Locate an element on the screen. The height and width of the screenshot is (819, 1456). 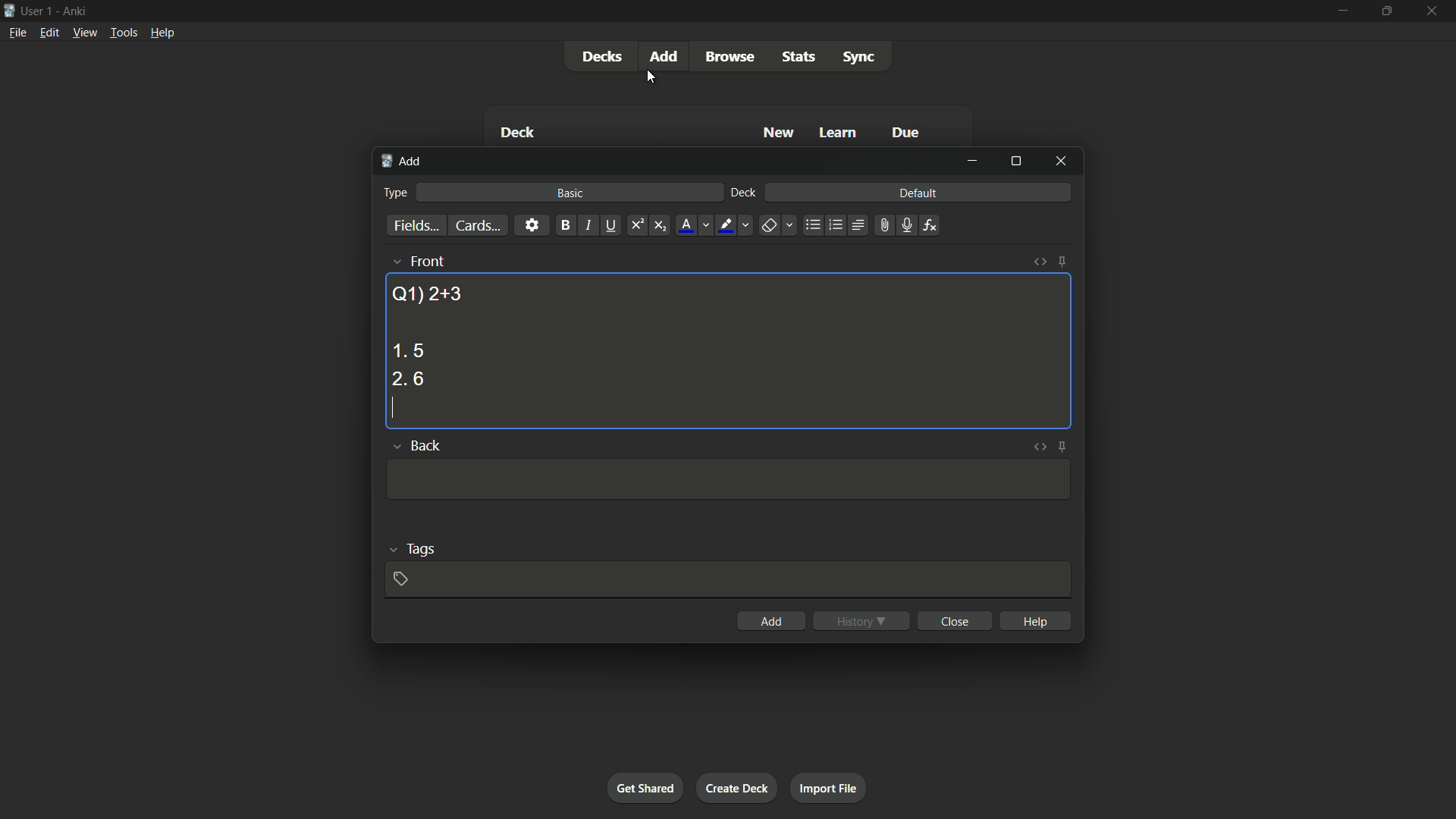
italic is located at coordinates (587, 225).